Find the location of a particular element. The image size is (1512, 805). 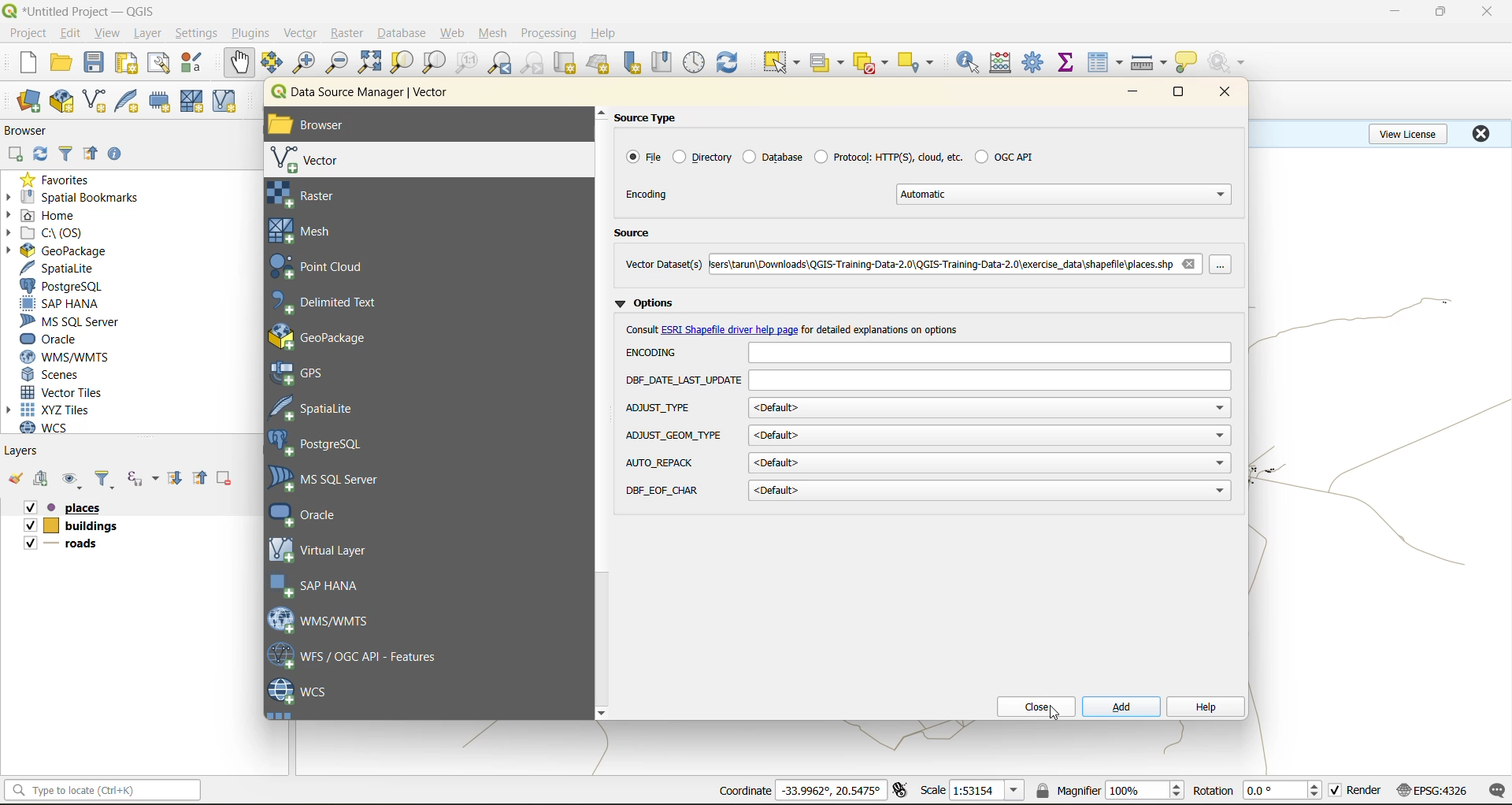

select is located at coordinates (779, 63).